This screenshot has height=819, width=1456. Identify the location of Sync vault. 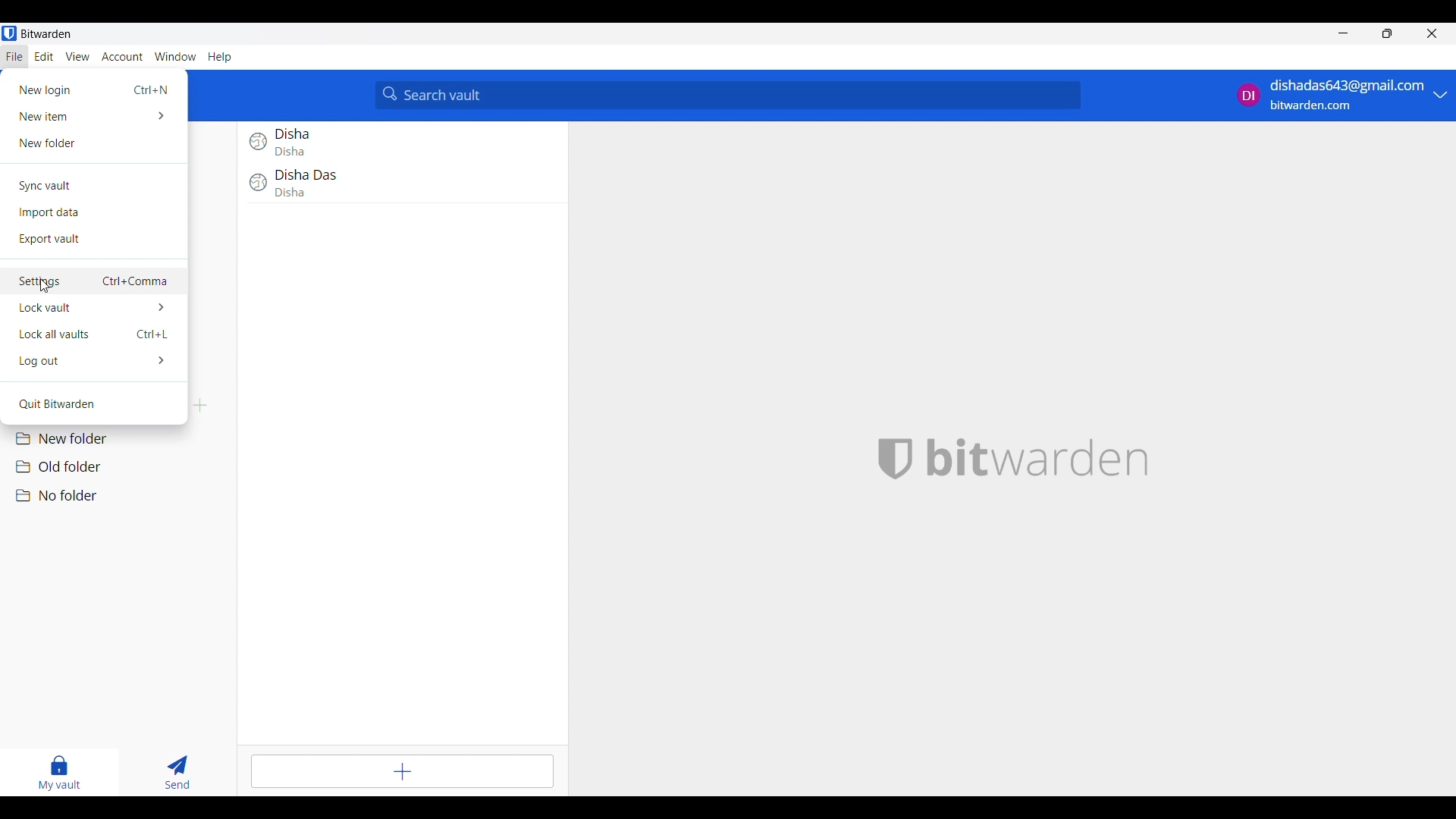
(93, 186).